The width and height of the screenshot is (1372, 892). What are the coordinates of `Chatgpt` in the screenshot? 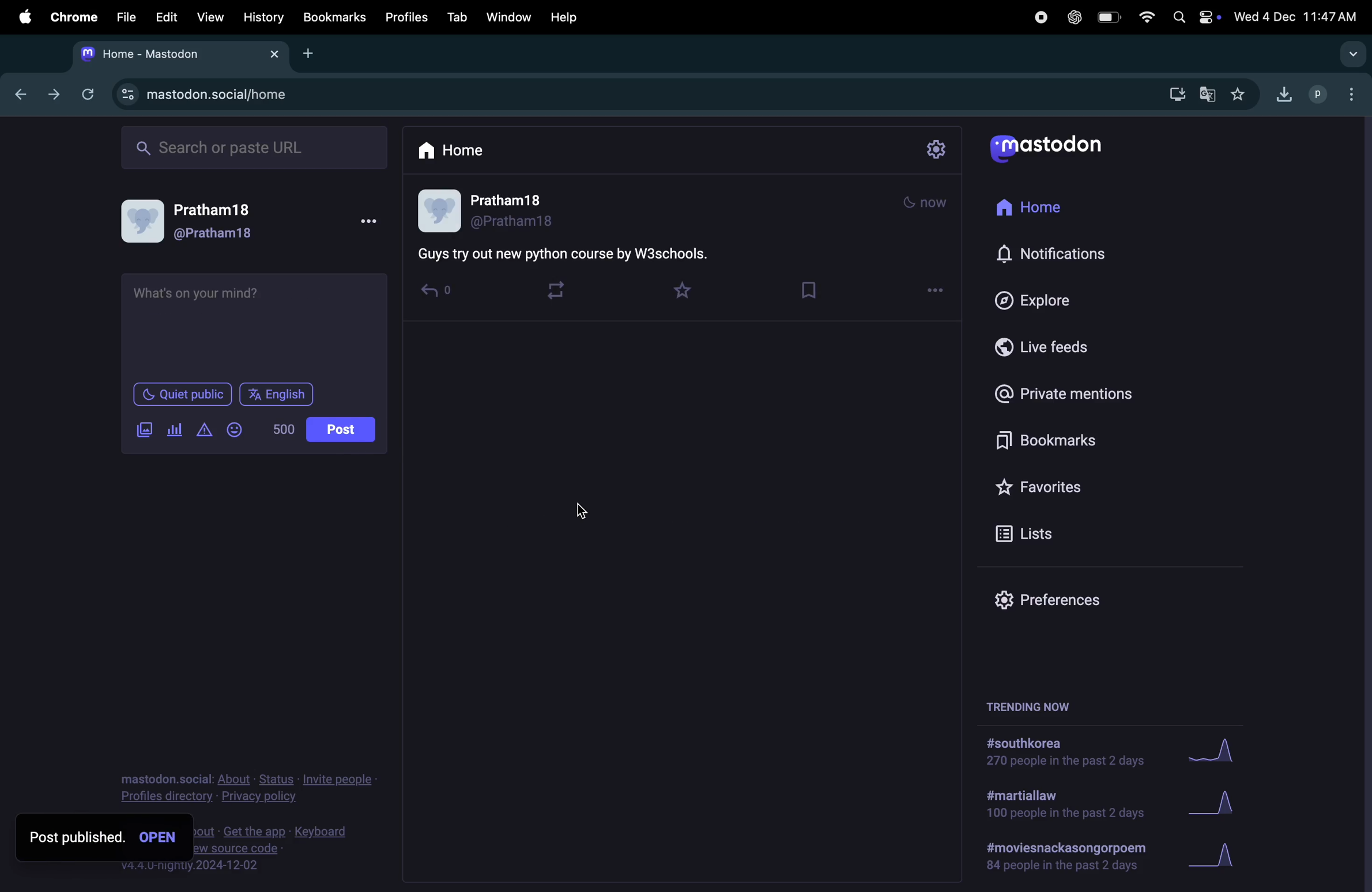 It's located at (1071, 17).